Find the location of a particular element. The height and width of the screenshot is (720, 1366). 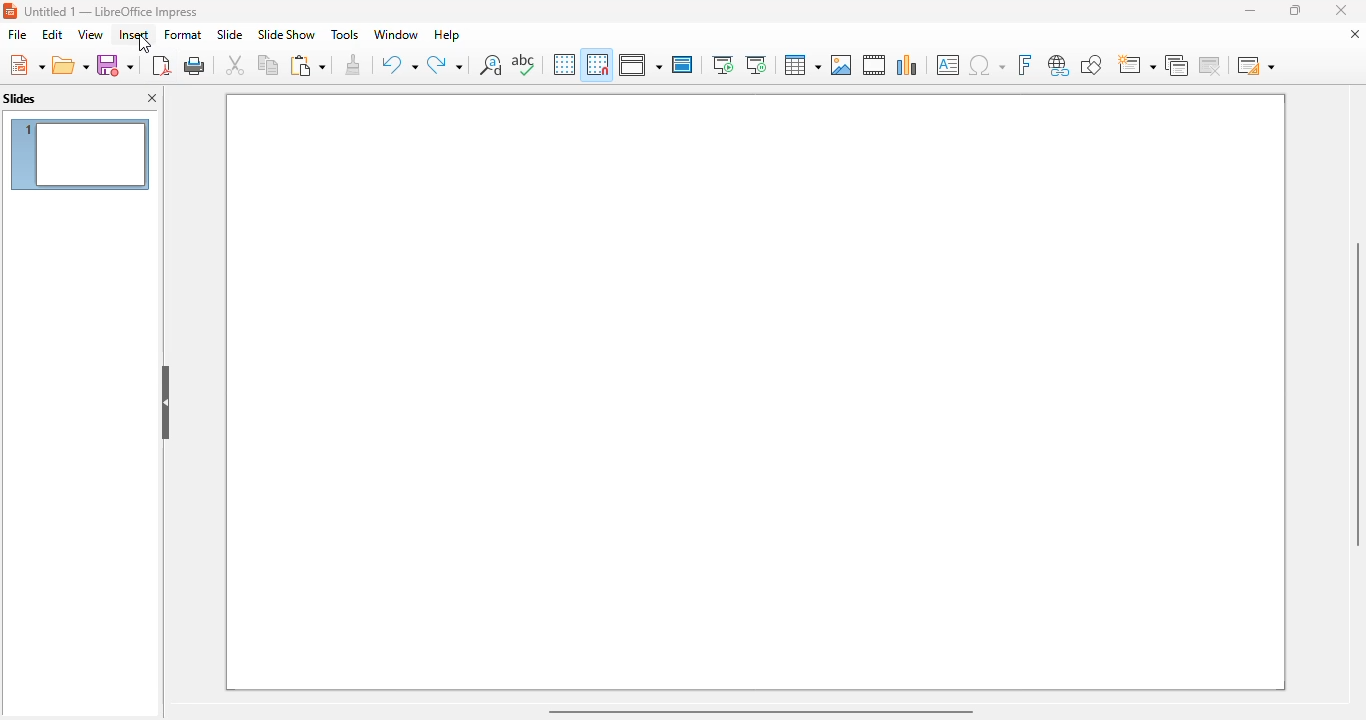

delete slide is located at coordinates (1213, 65).